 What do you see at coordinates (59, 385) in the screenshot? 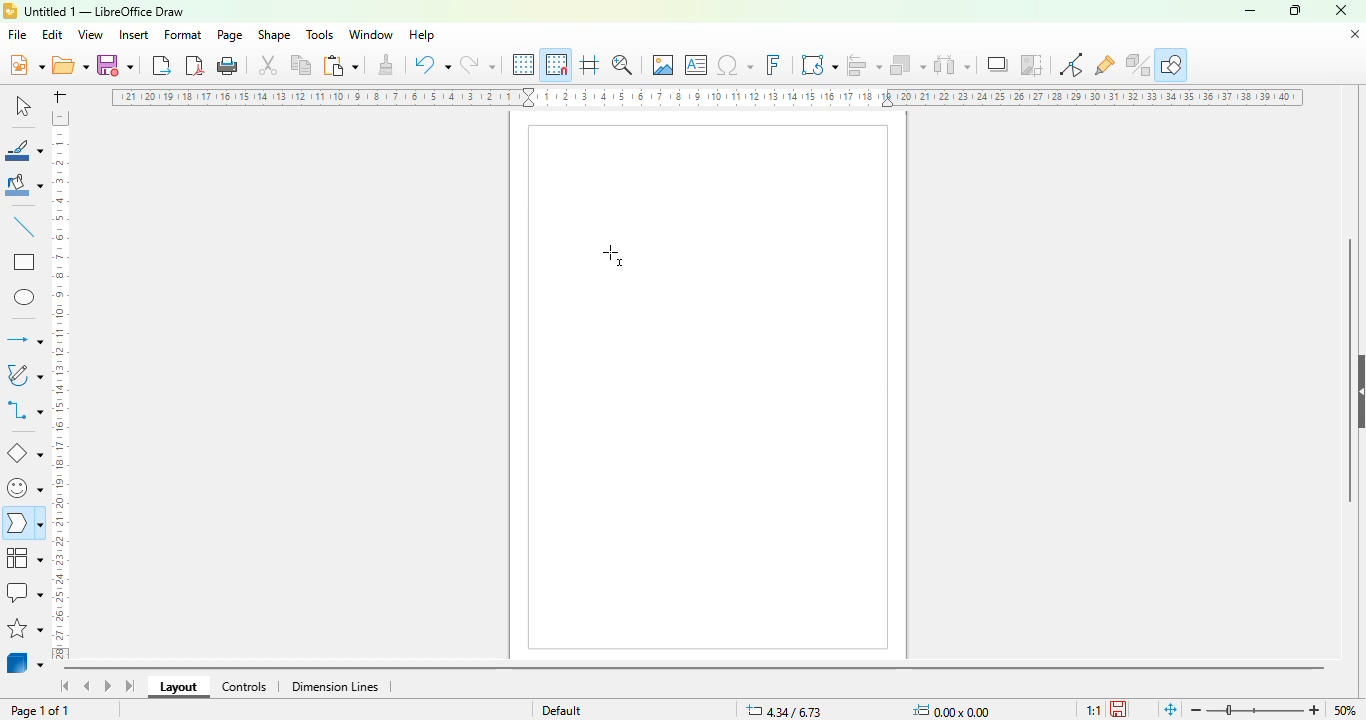
I see `ruler` at bounding box center [59, 385].